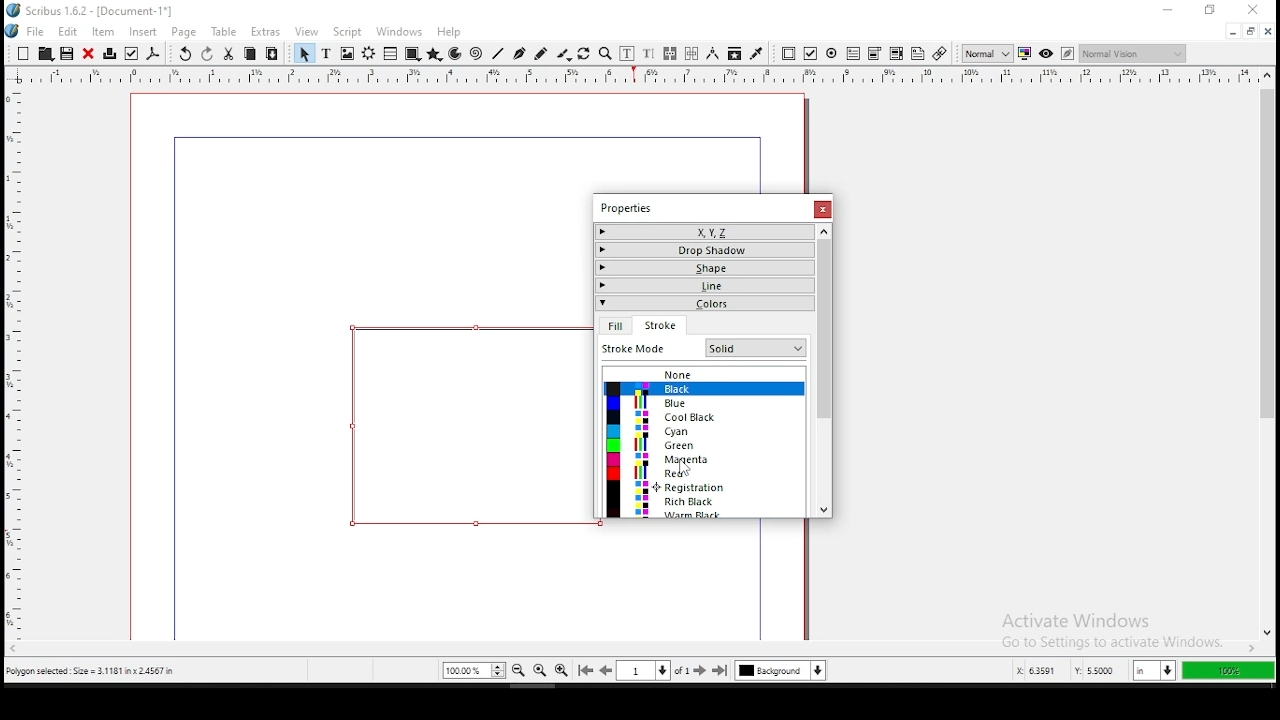  What do you see at coordinates (519, 670) in the screenshot?
I see `zoom out` at bounding box center [519, 670].